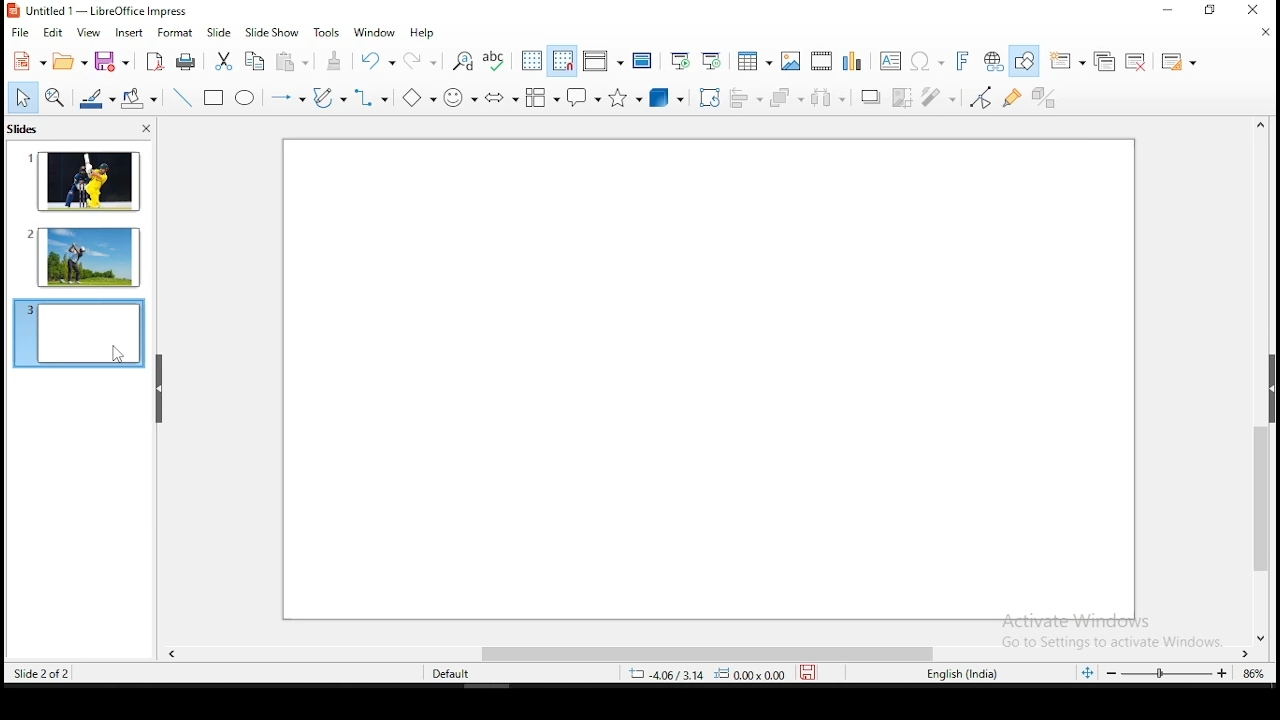 The width and height of the screenshot is (1280, 720). I want to click on start from first slide, so click(681, 60).